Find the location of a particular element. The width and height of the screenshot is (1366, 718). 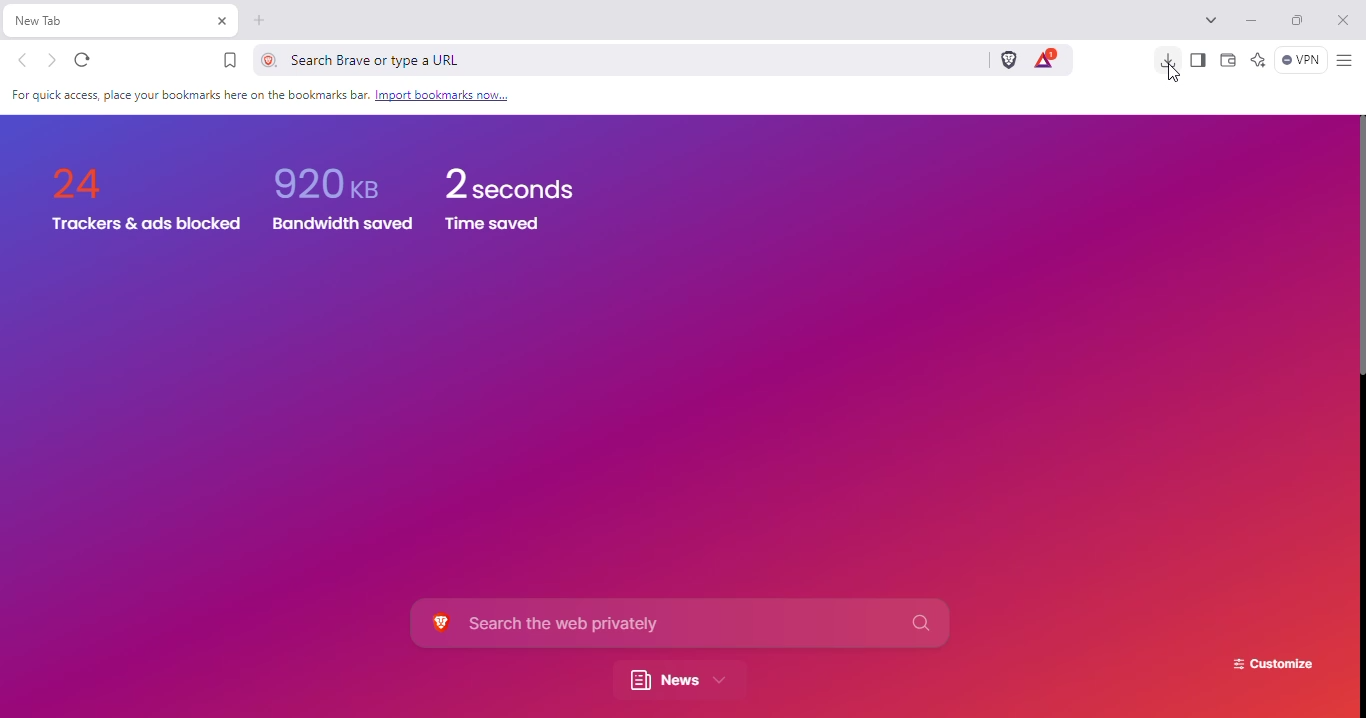

2 seconds time saved is located at coordinates (508, 181).